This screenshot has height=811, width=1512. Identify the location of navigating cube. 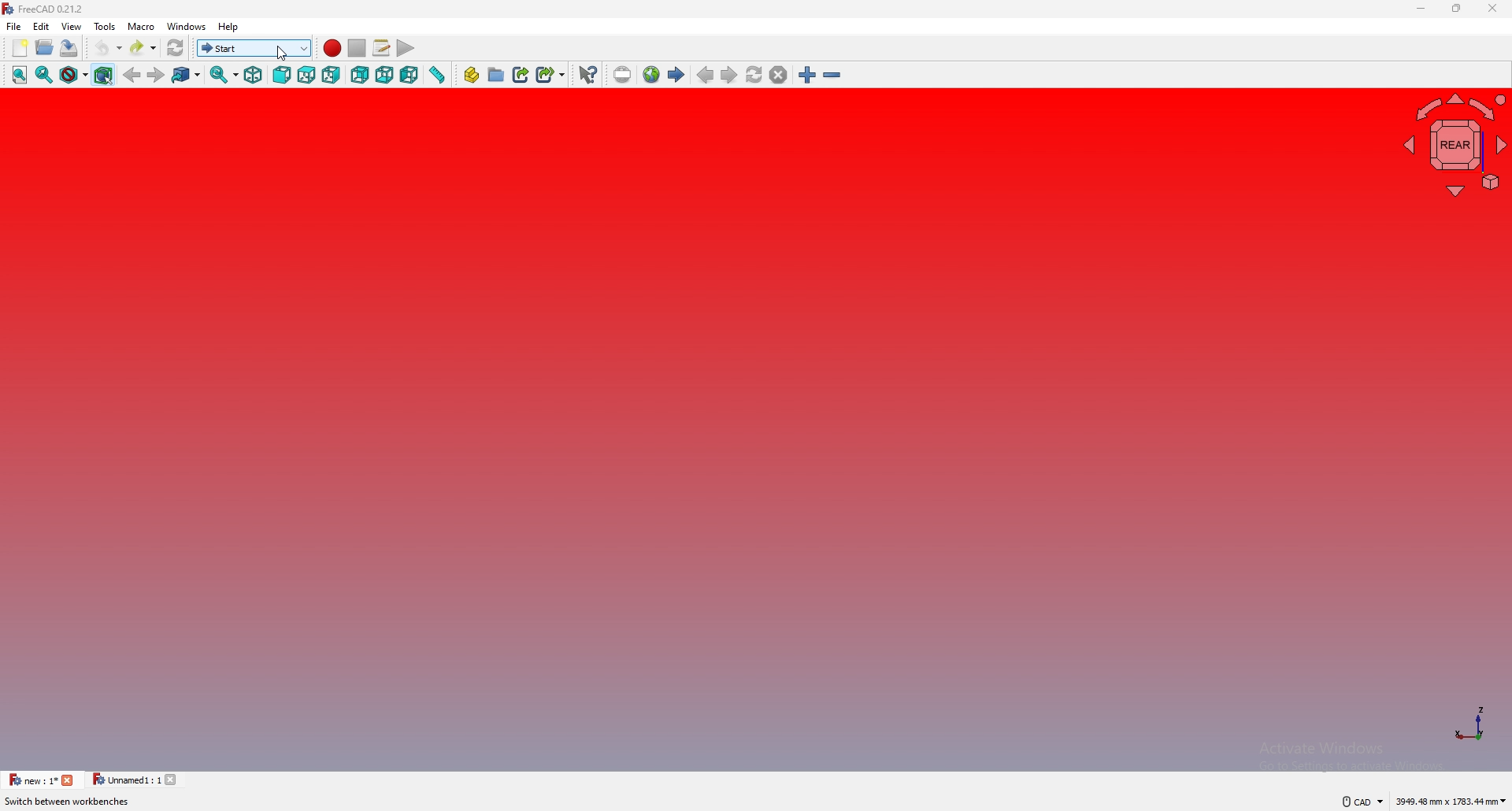
(1451, 145).